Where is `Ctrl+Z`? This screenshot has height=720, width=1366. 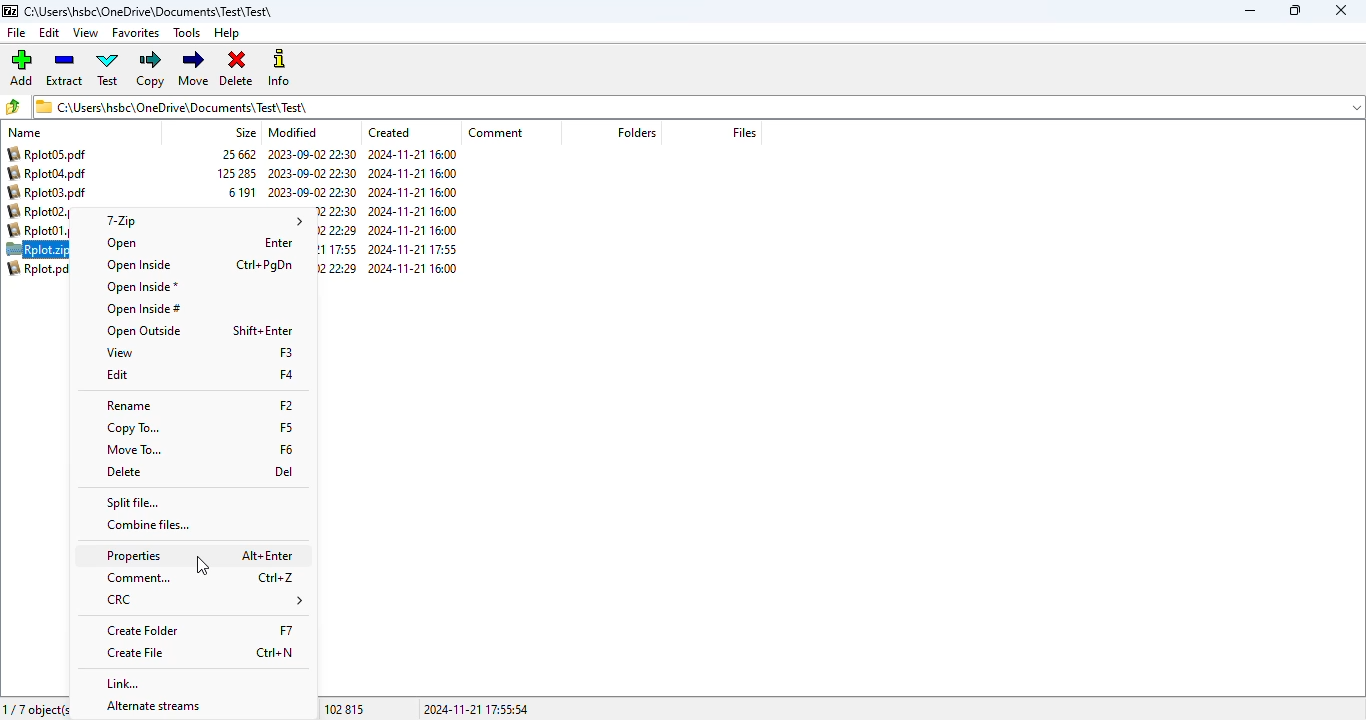
Ctrl+Z is located at coordinates (276, 577).